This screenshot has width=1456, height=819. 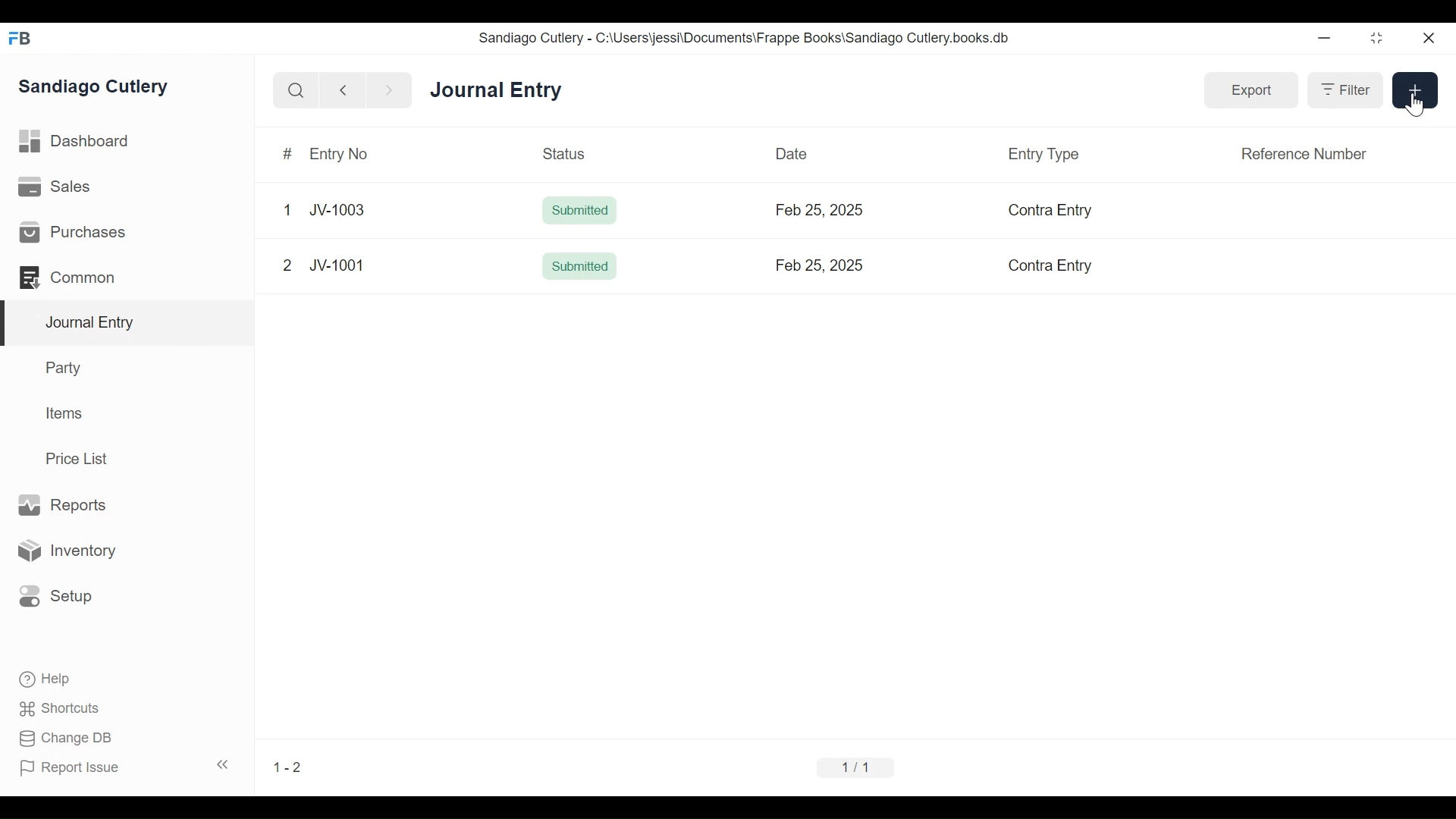 I want to click on Reports, so click(x=67, y=505).